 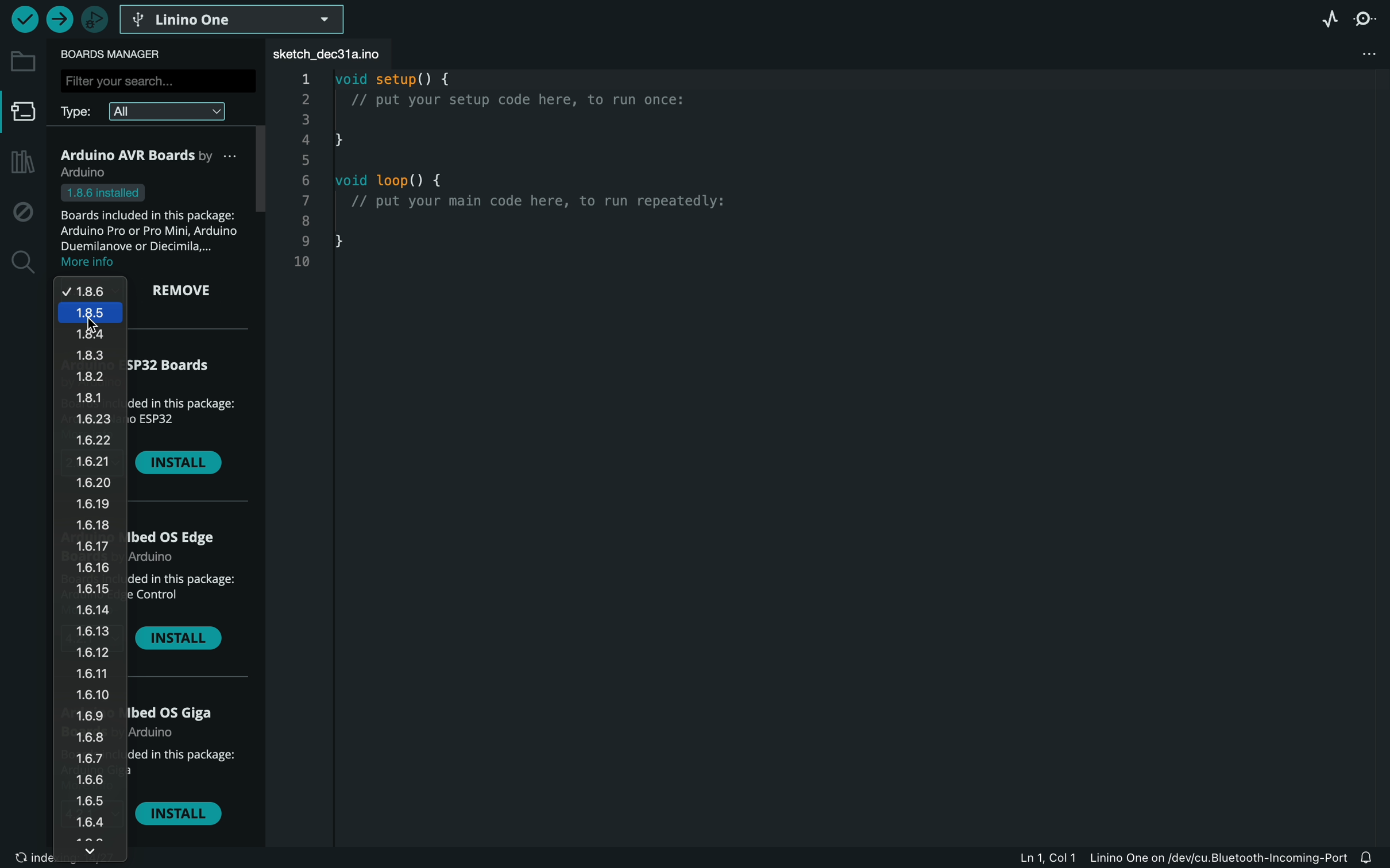 What do you see at coordinates (94, 19) in the screenshot?
I see `debugger` at bounding box center [94, 19].